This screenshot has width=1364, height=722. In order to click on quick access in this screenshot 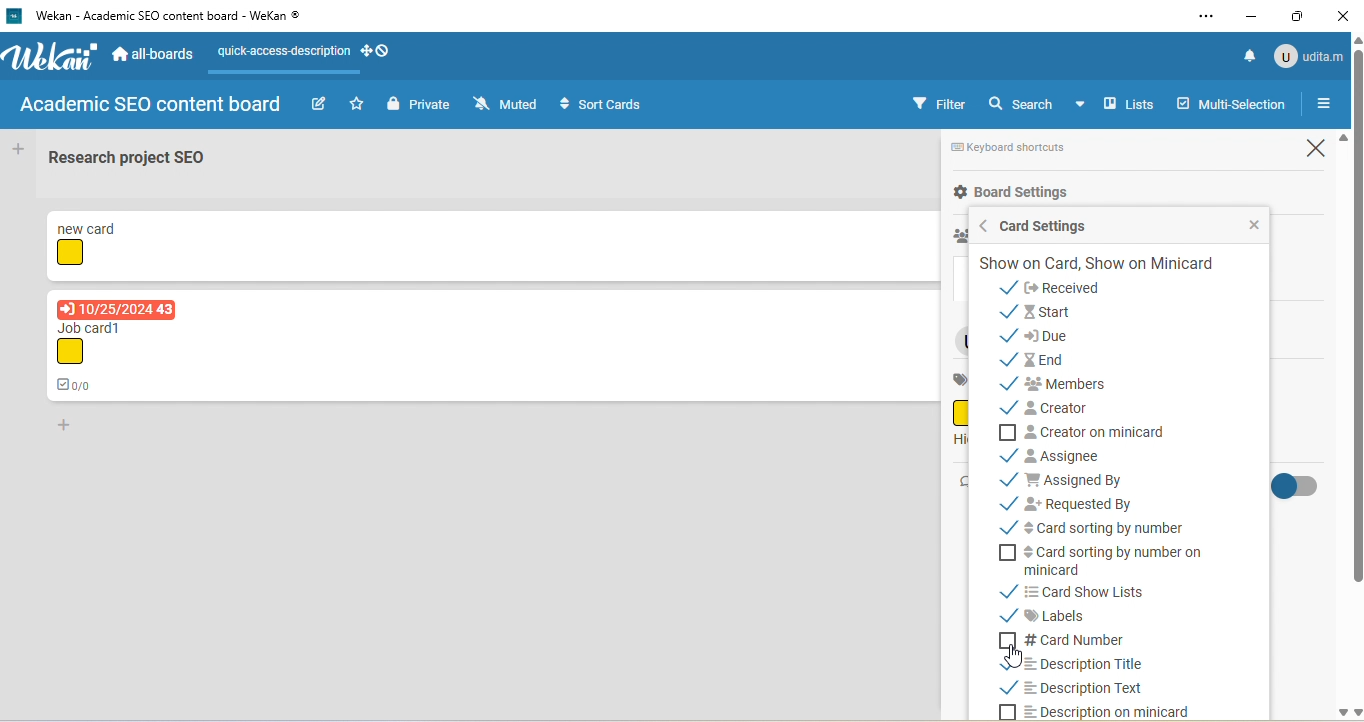, I will do `click(308, 51)`.